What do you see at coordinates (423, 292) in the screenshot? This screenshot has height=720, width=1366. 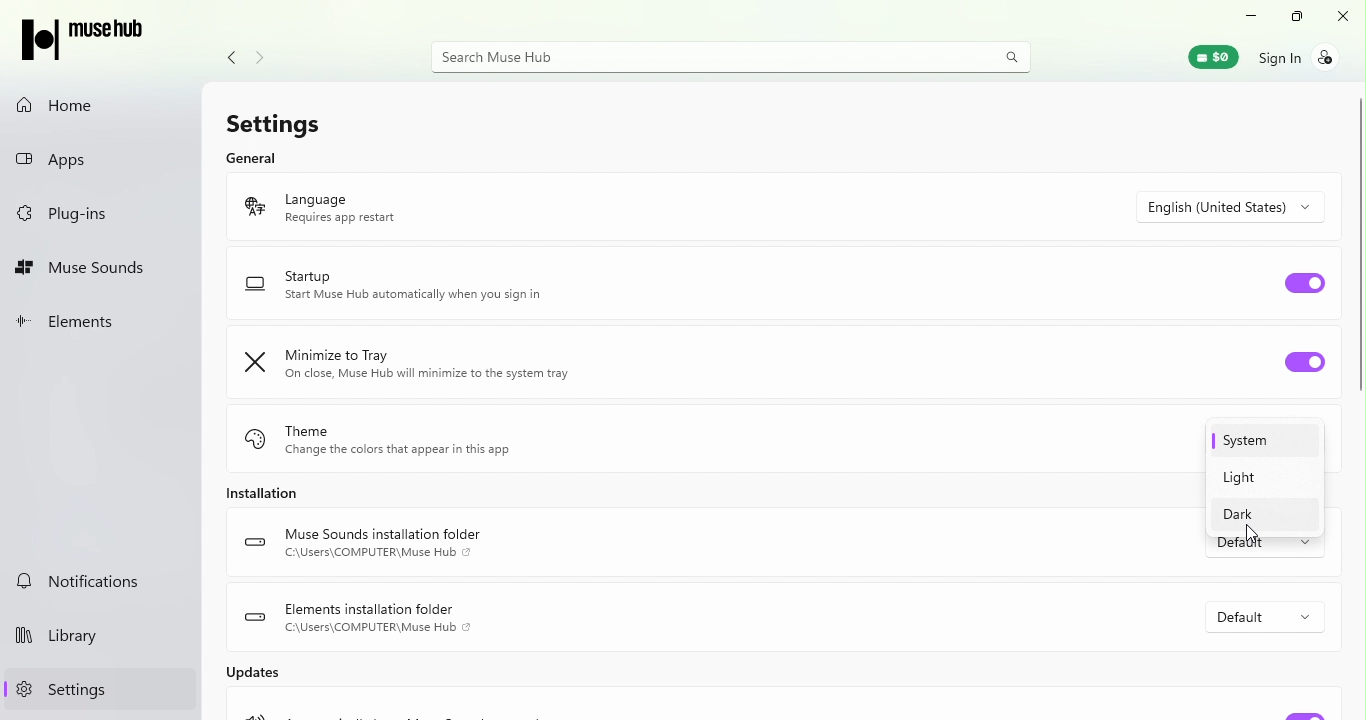 I see `Startup` at bounding box center [423, 292].